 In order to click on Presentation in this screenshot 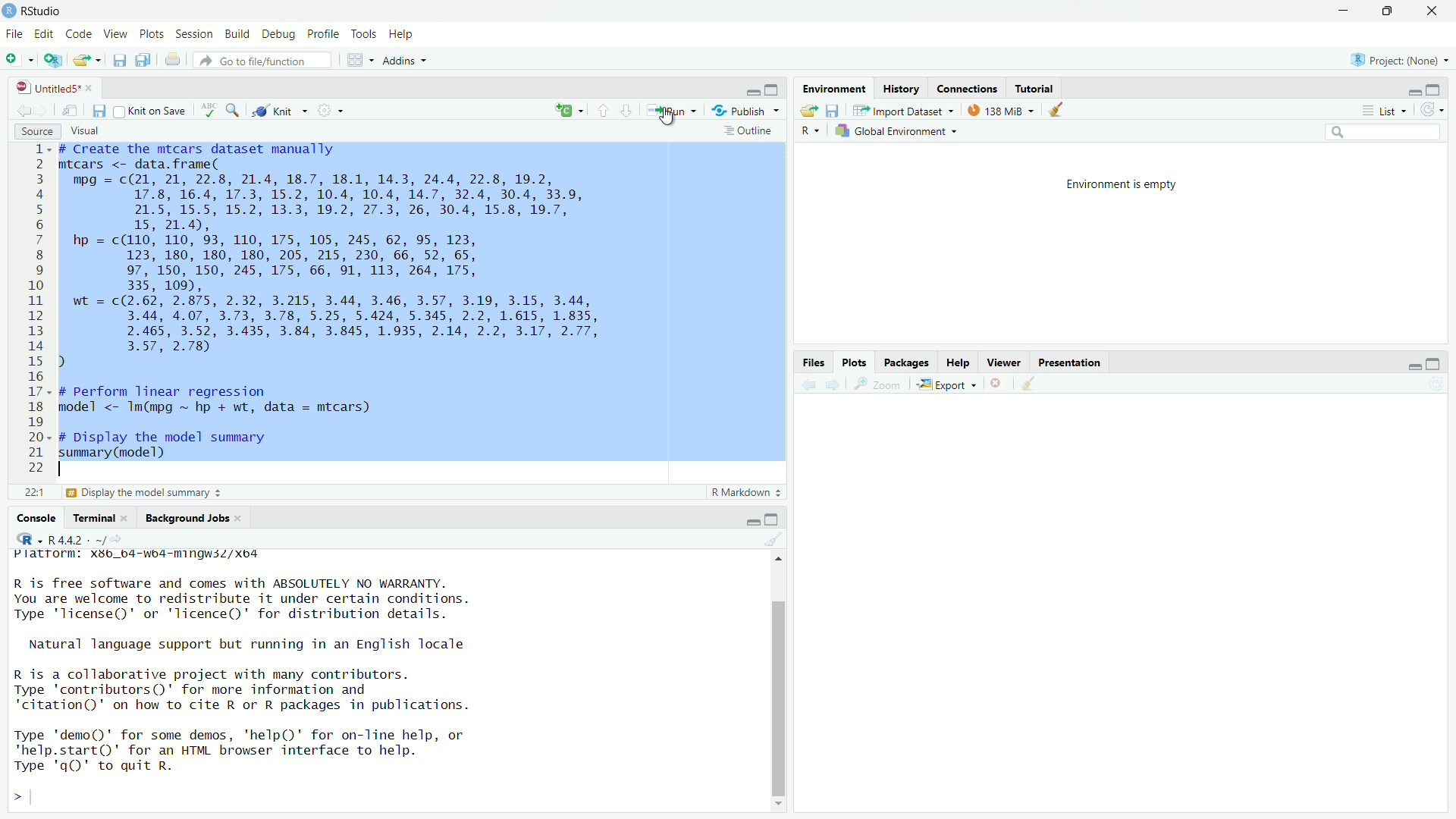, I will do `click(1070, 363)`.